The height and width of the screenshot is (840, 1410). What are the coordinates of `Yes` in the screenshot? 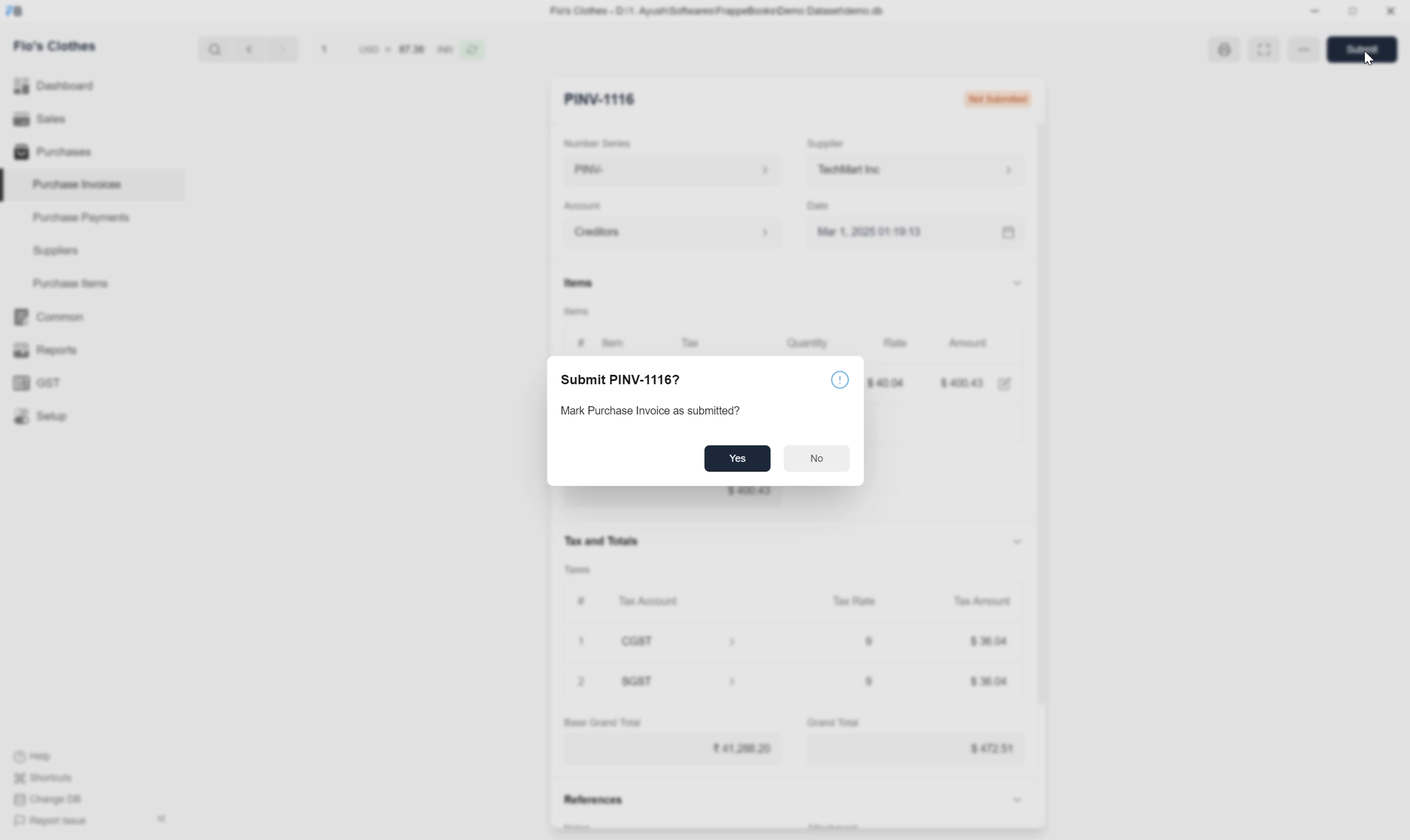 It's located at (737, 459).